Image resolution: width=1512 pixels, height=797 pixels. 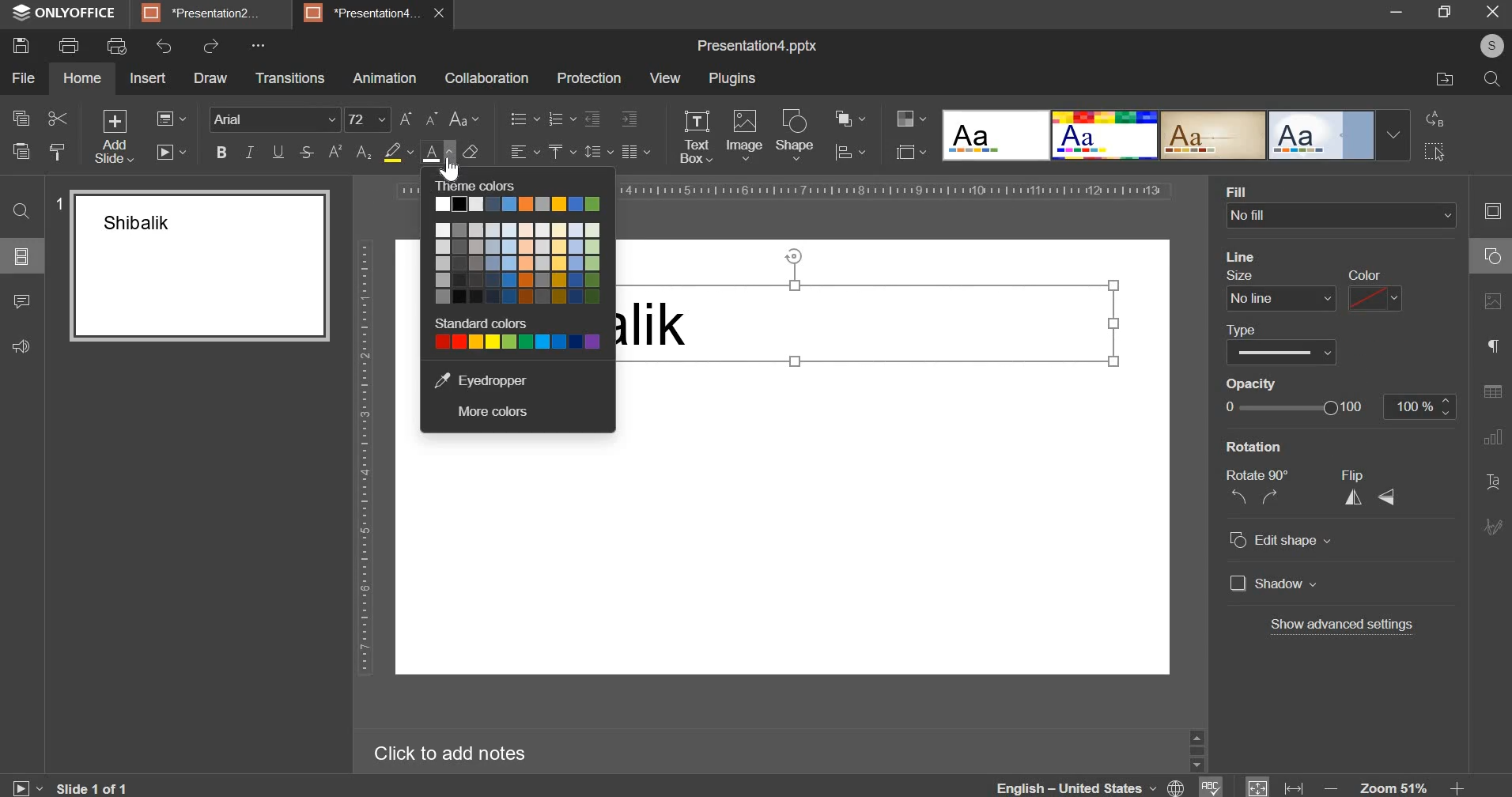 I want to click on select all, so click(x=1437, y=152).